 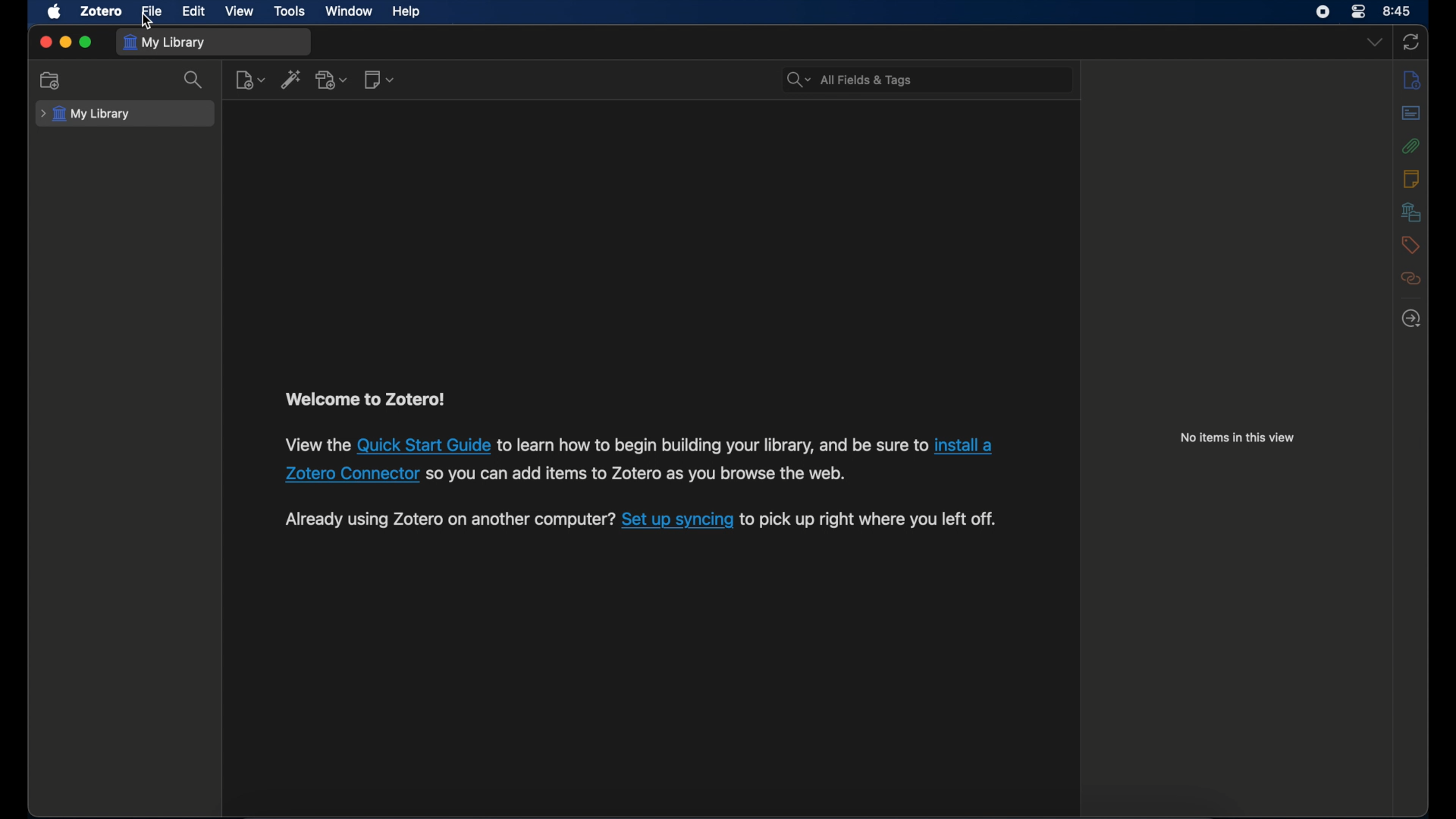 What do you see at coordinates (151, 11) in the screenshot?
I see `file` at bounding box center [151, 11].